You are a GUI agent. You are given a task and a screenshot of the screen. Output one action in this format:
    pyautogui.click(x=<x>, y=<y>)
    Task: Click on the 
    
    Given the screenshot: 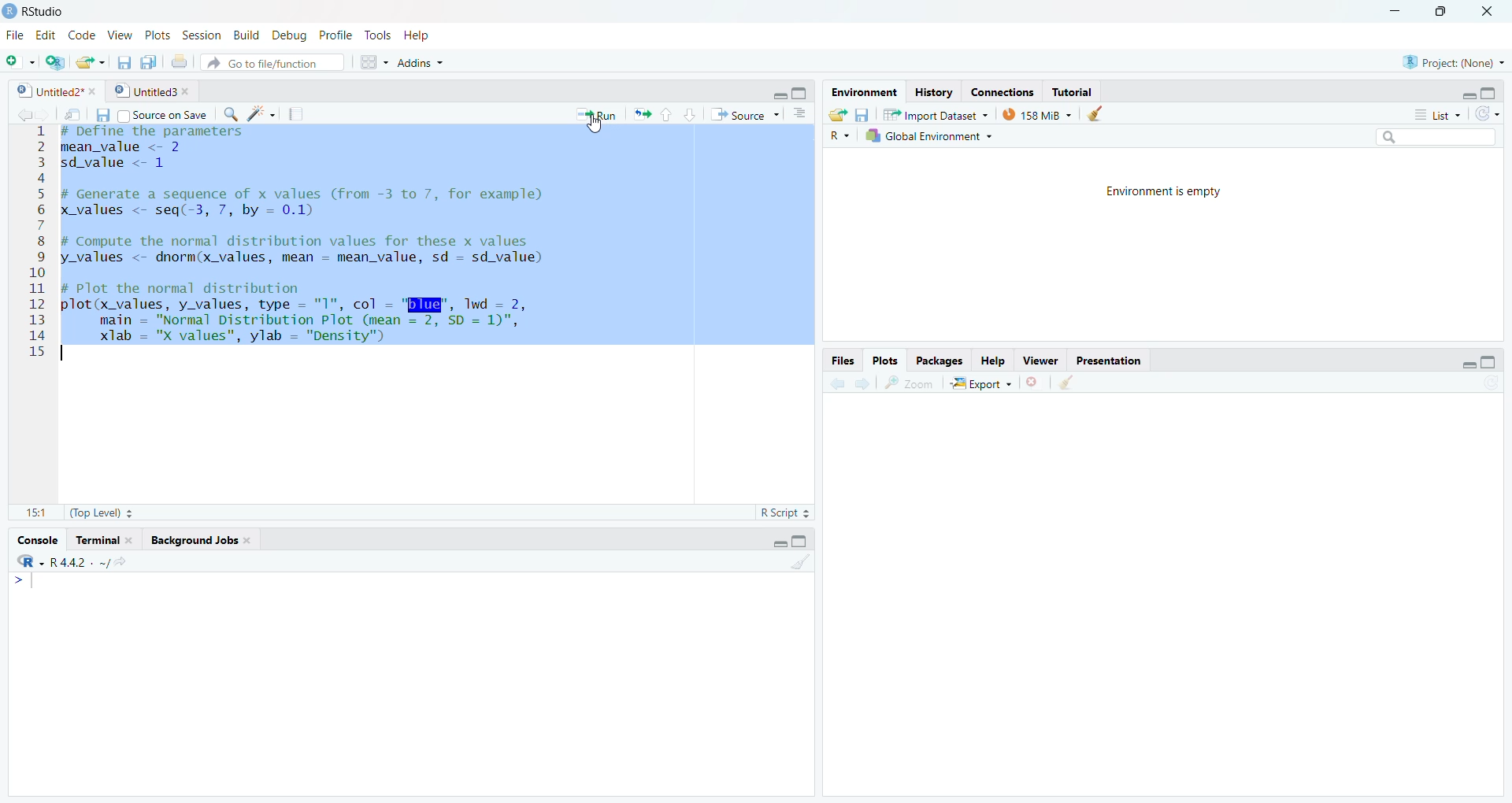 What is the action you would take?
    pyautogui.click(x=799, y=114)
    